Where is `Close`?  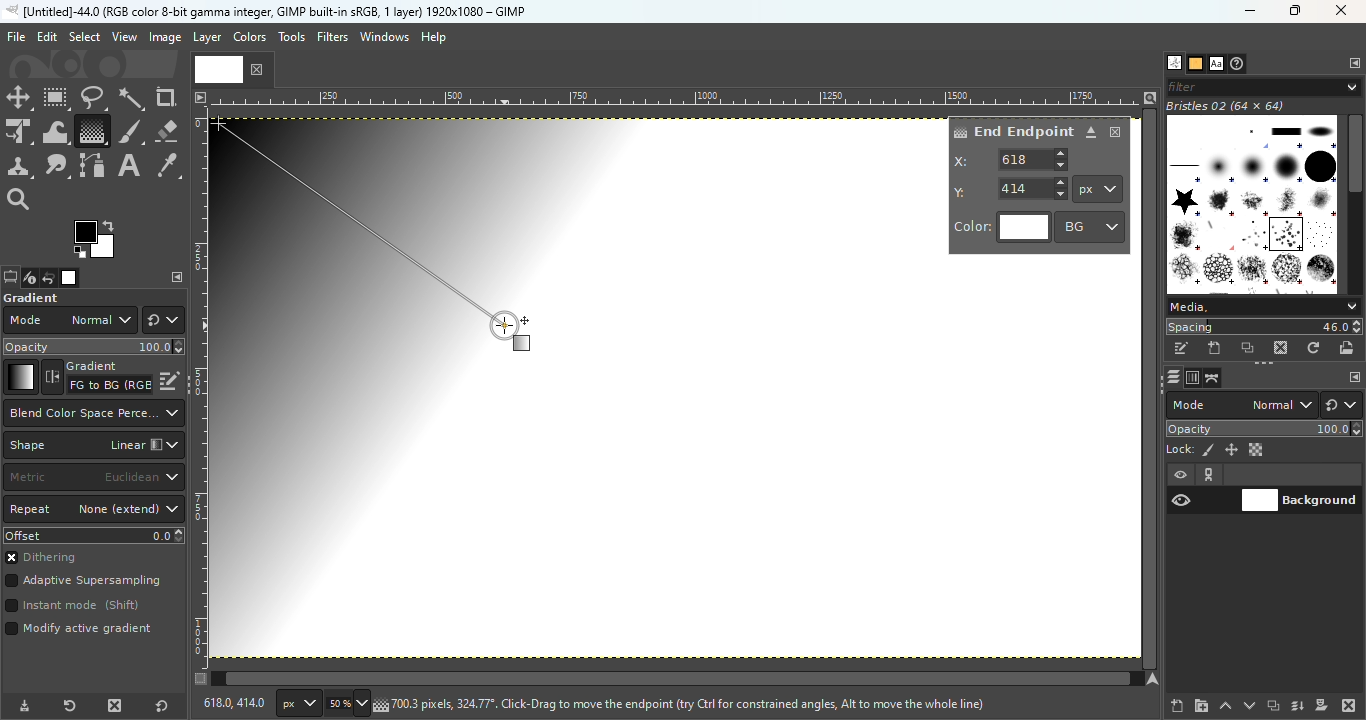
Close is located at coordinates (1343, 12).